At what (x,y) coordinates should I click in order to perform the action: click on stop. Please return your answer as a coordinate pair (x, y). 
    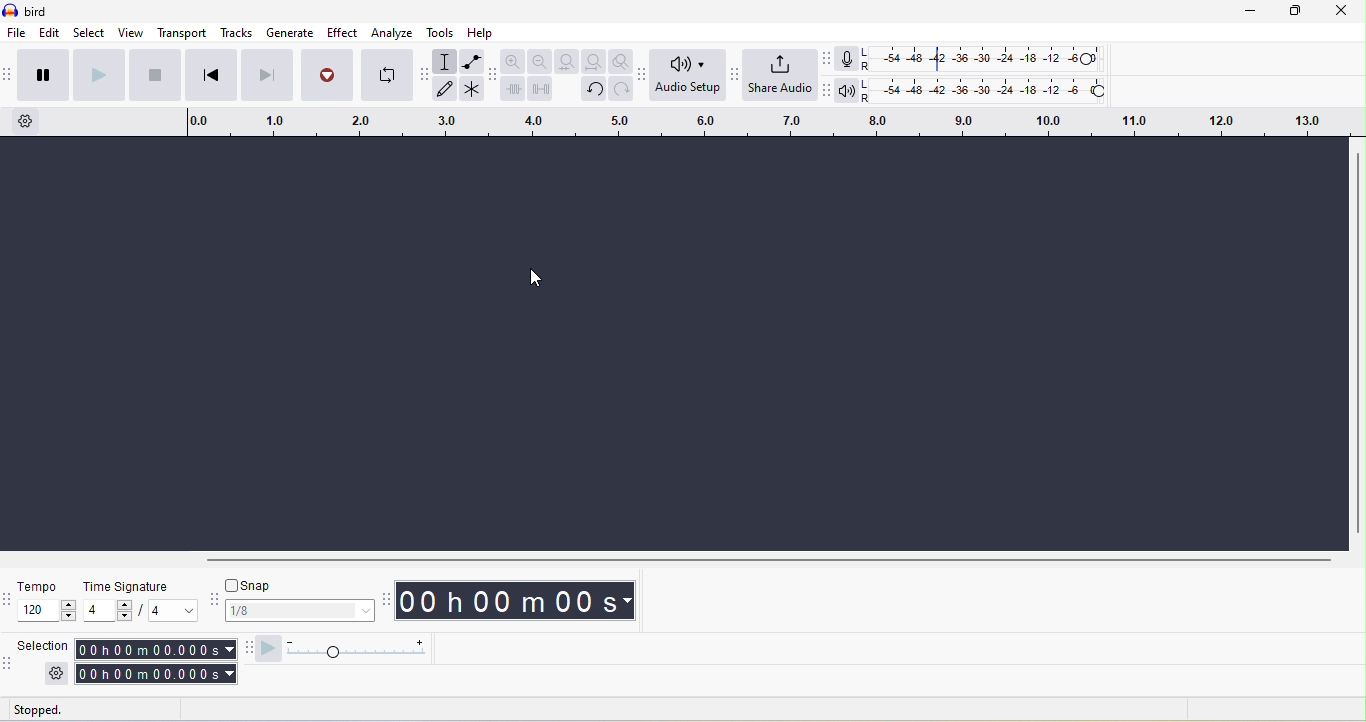
    Looking at the image, I should click on (153, 77).